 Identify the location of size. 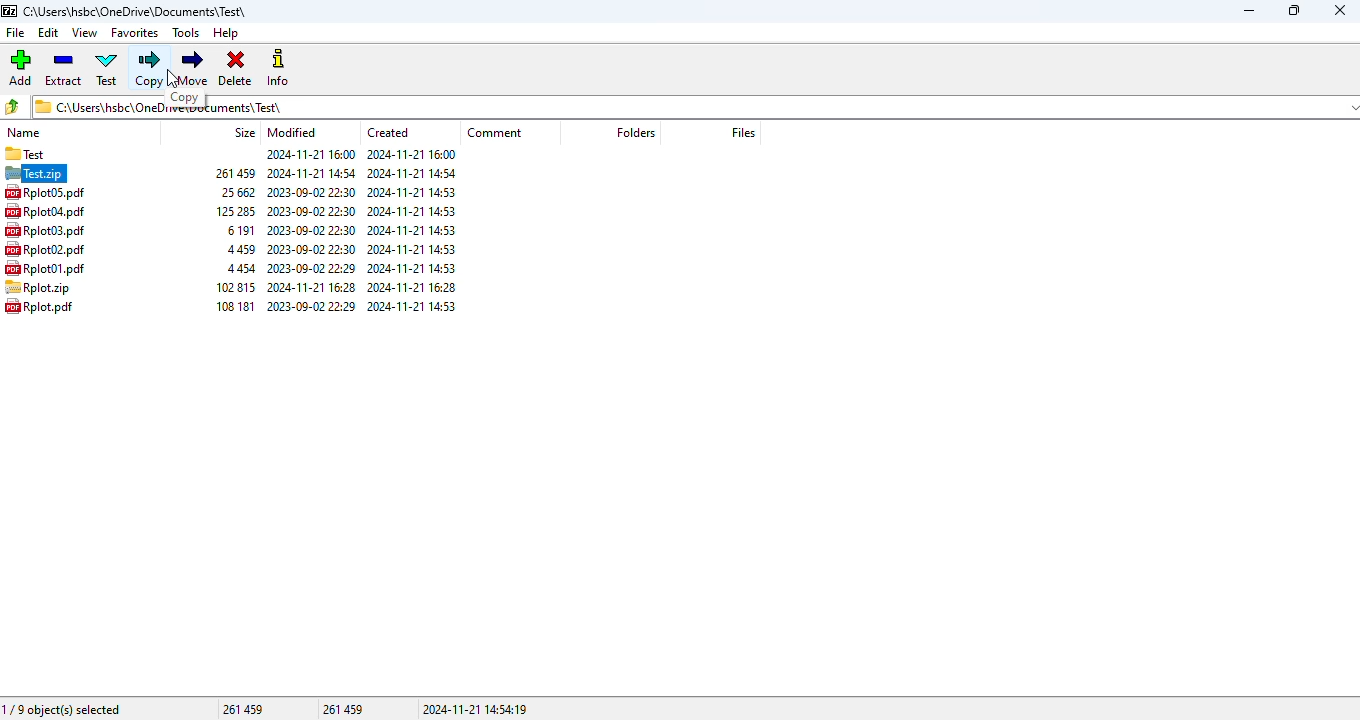
(246, 132).